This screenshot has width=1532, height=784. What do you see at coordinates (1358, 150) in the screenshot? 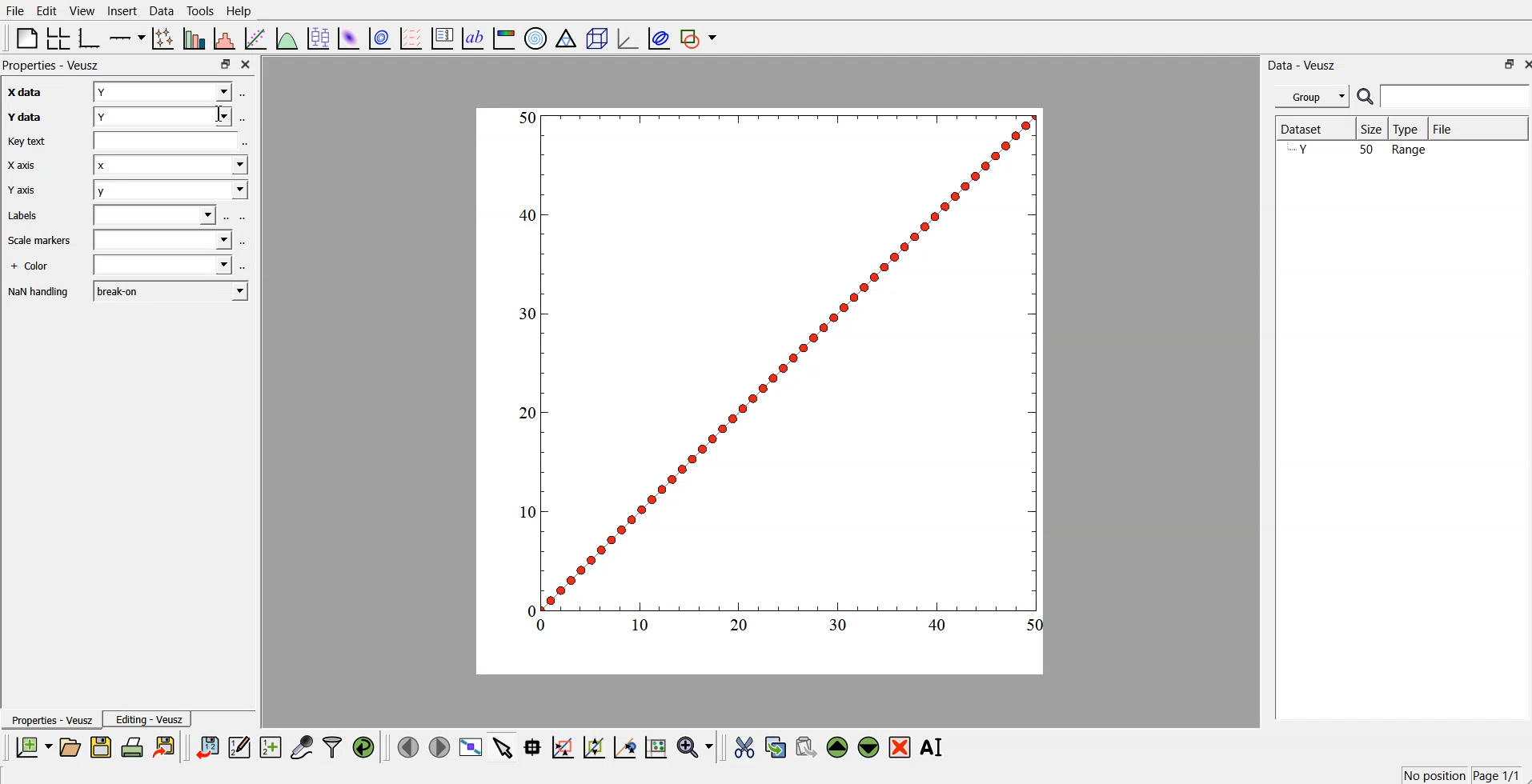
I see `Y 50 Range` at bounding box center [1358, 150].